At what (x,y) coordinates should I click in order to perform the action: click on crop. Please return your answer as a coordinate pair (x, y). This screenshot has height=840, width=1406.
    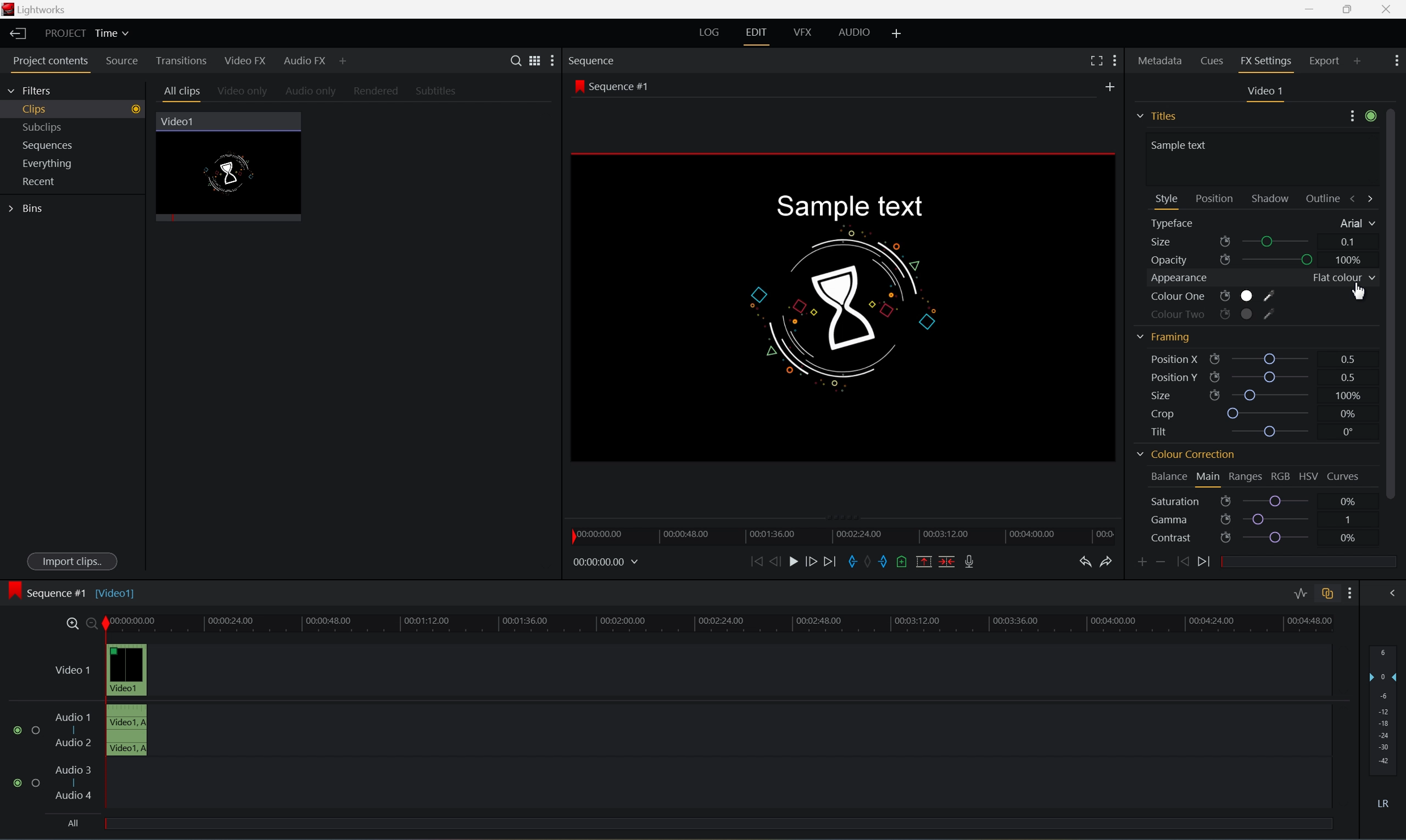
    Looking at the image, I should click on (1166, 414).